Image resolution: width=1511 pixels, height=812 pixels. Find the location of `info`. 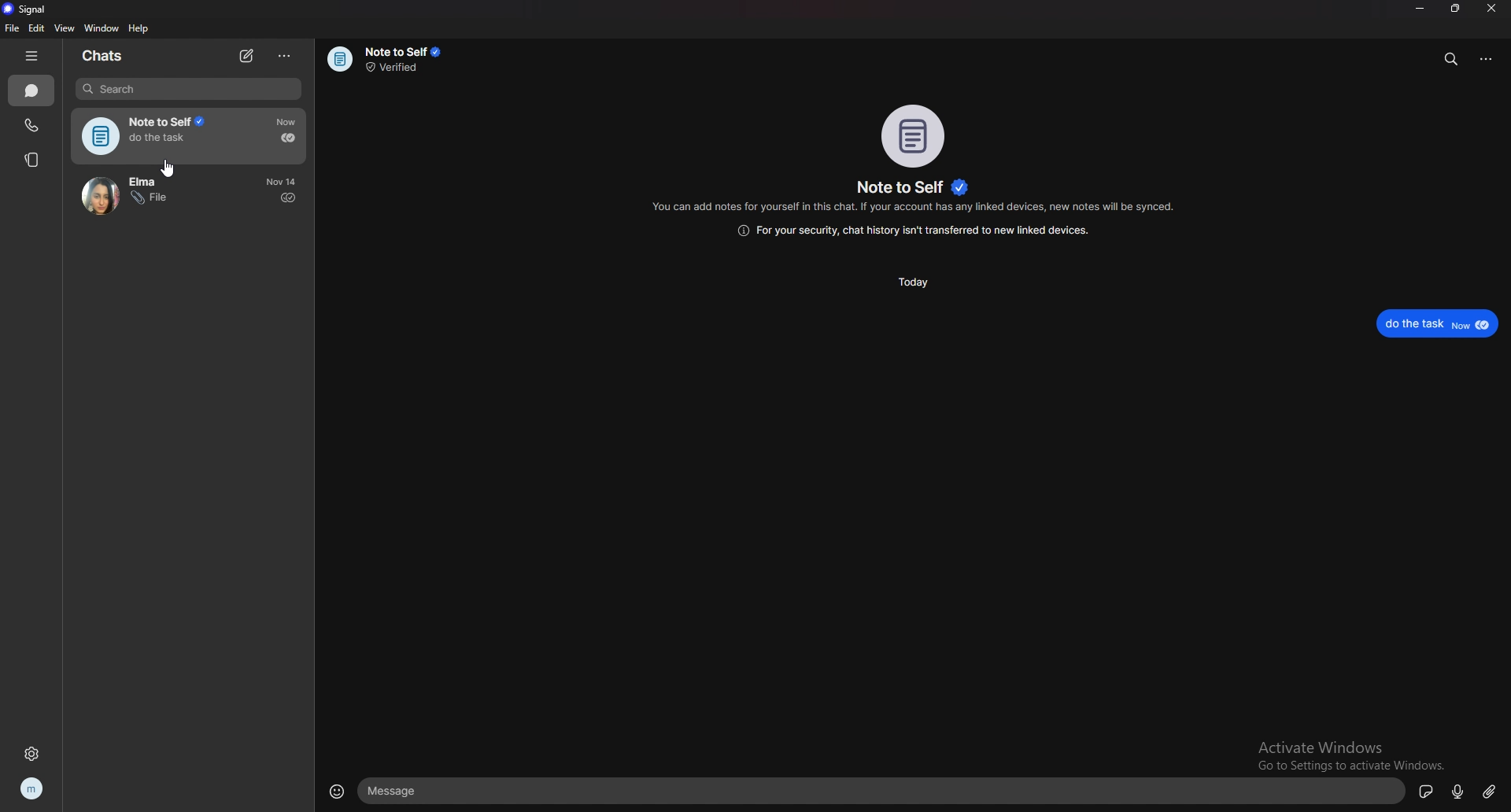

info is located at coordinates (919, 209).